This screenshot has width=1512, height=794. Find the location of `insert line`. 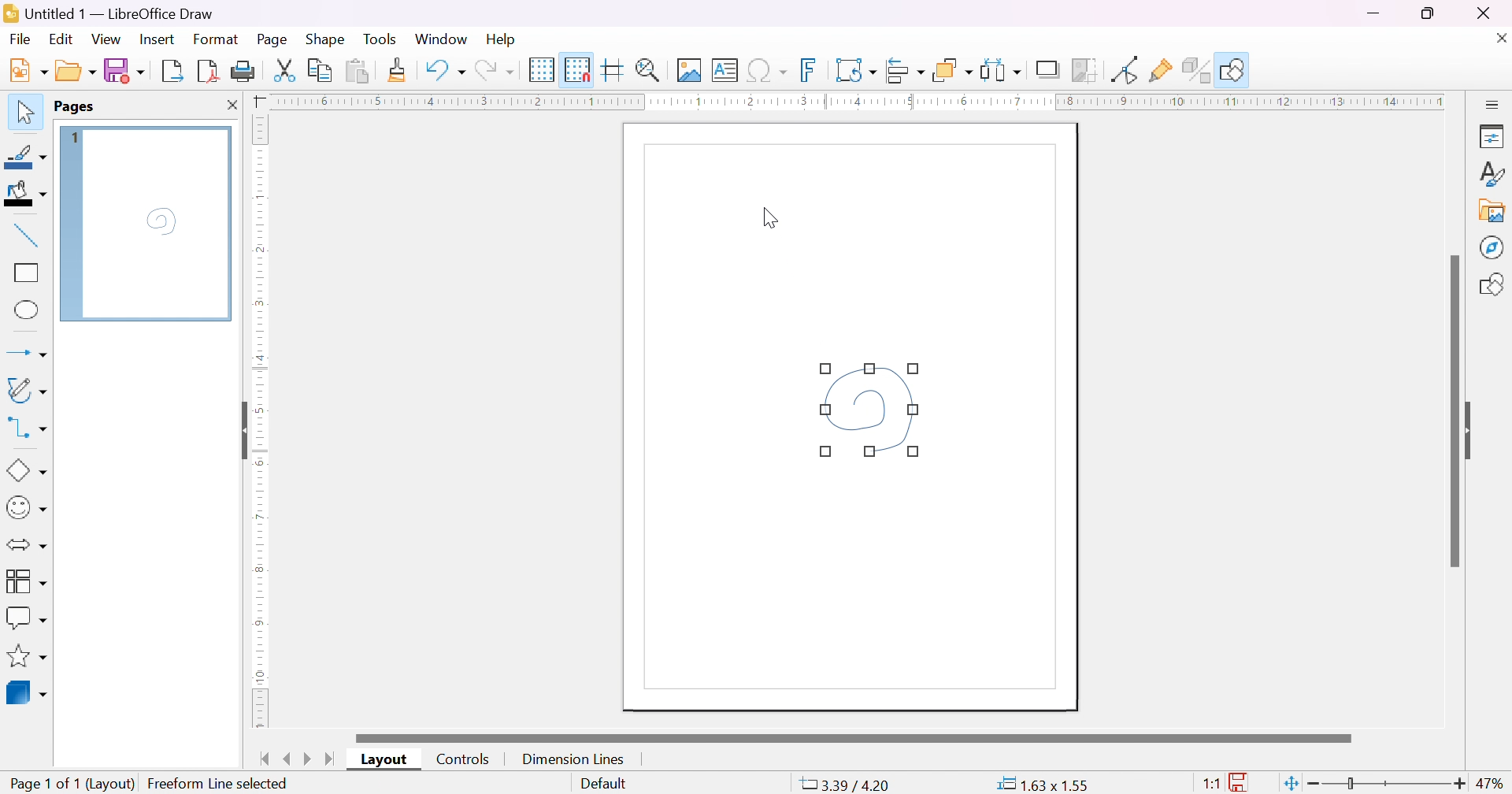

insert line is located at coordinates (27, 236).